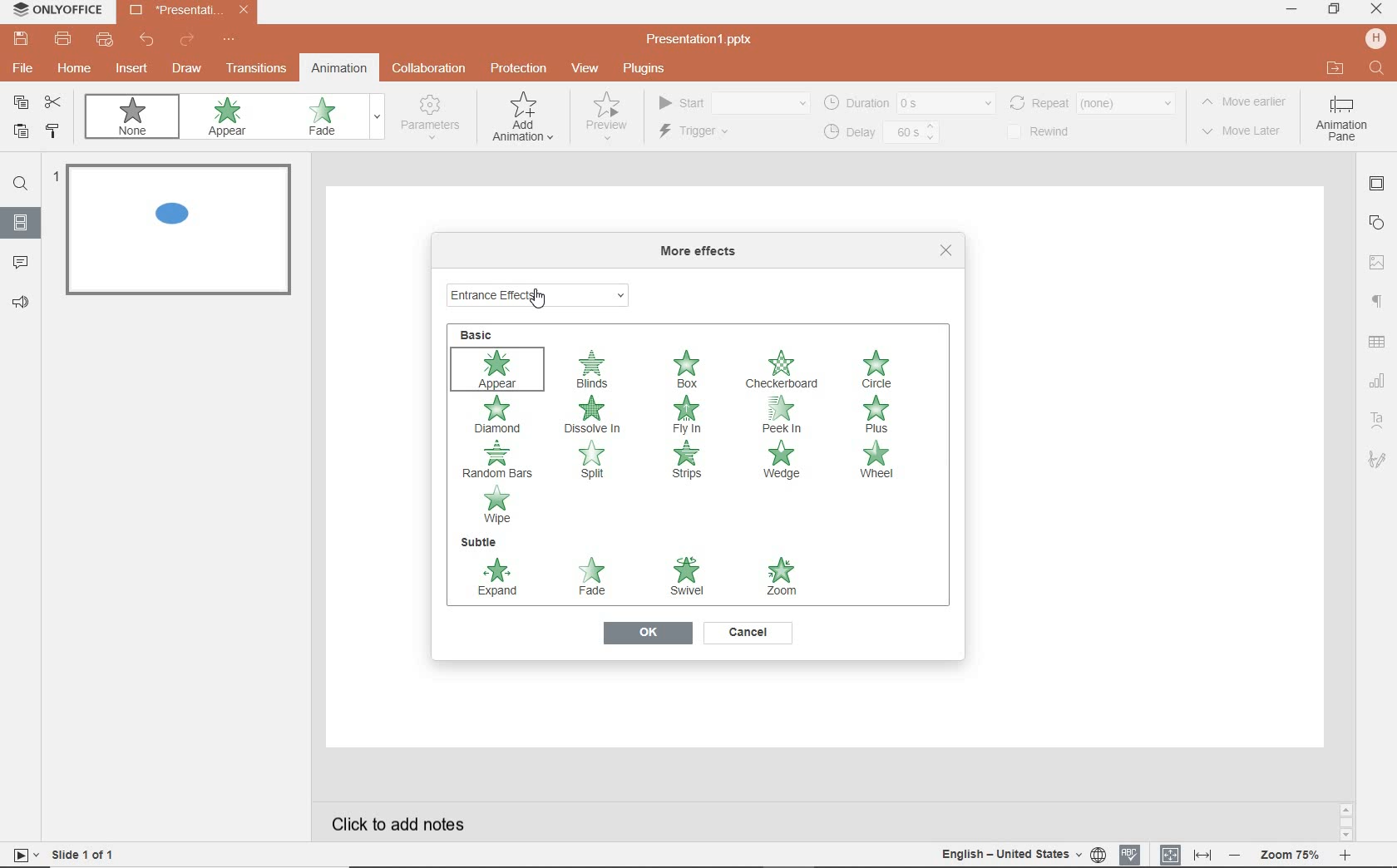 The width and height of the screenshot is (1397, 868). I want to click on PEEK IN, so click(788, 414).